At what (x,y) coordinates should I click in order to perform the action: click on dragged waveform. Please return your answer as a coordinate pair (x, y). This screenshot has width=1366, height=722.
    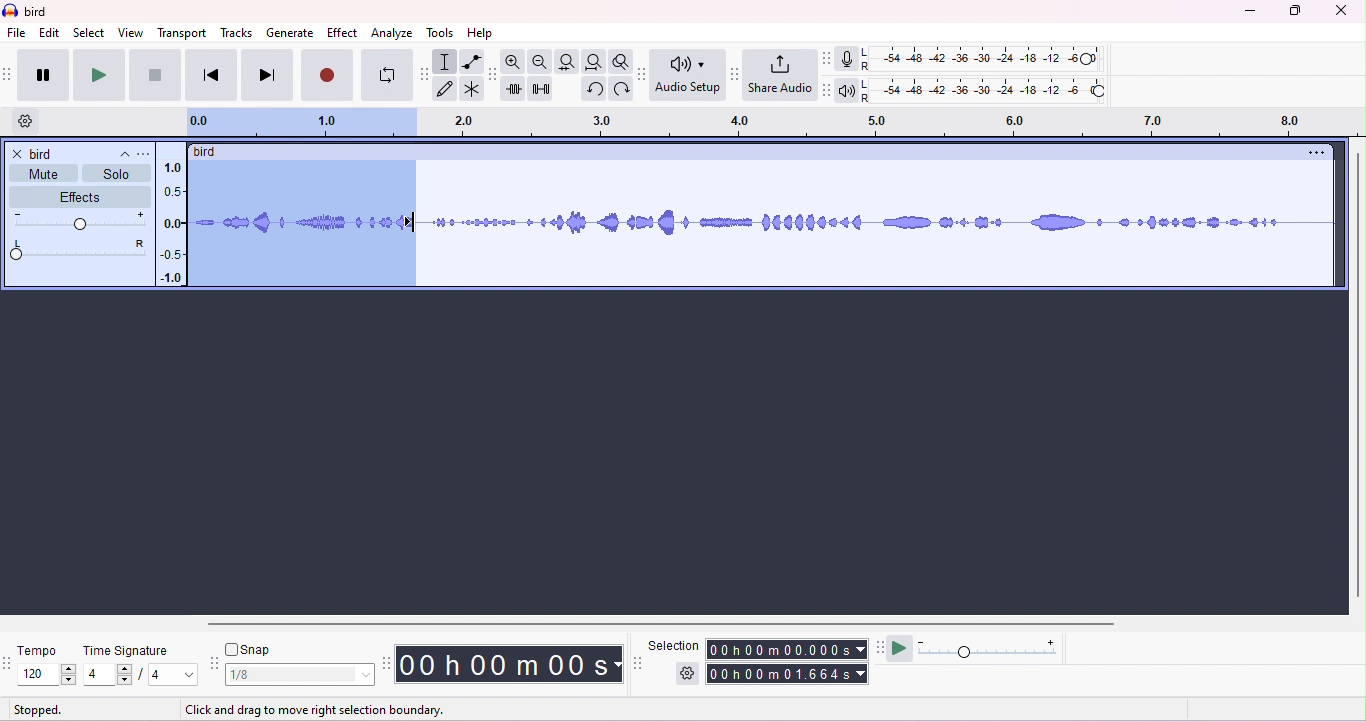
    Looking at the image, I should click on (301, 222).